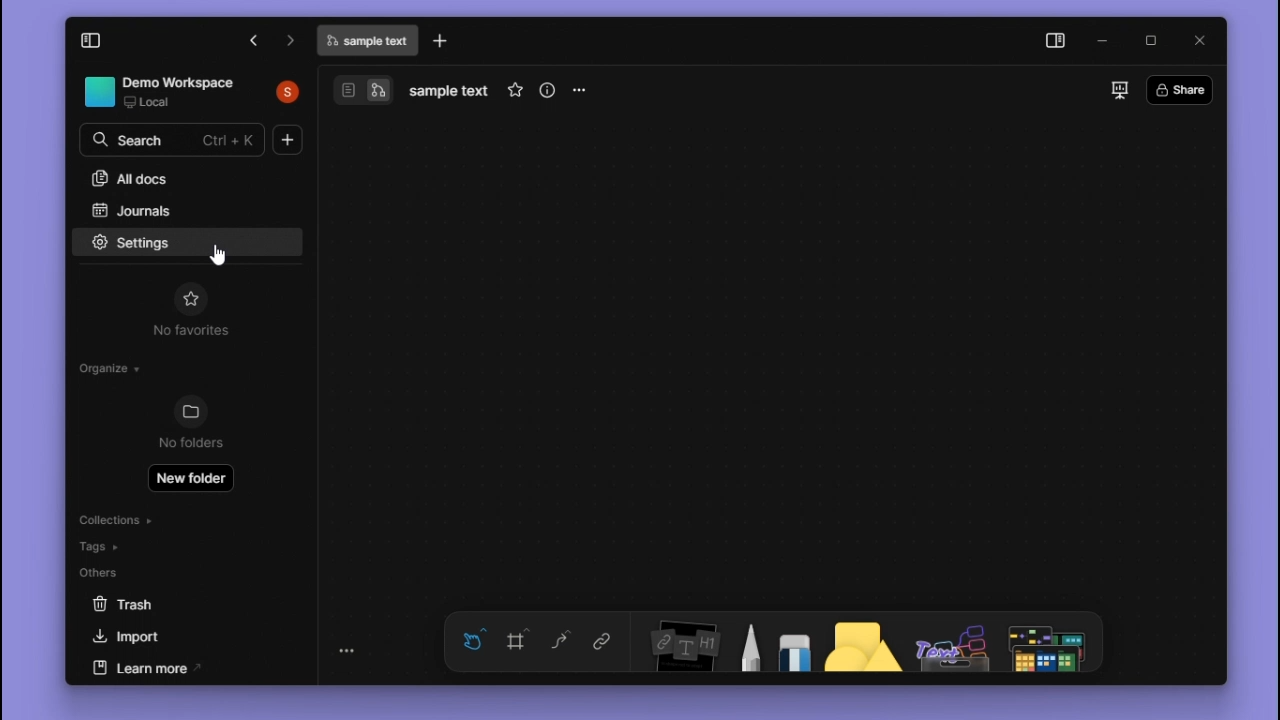  Describe the element at coordinates (852, 644) in the screenshot. I see `Shapes` at that location.